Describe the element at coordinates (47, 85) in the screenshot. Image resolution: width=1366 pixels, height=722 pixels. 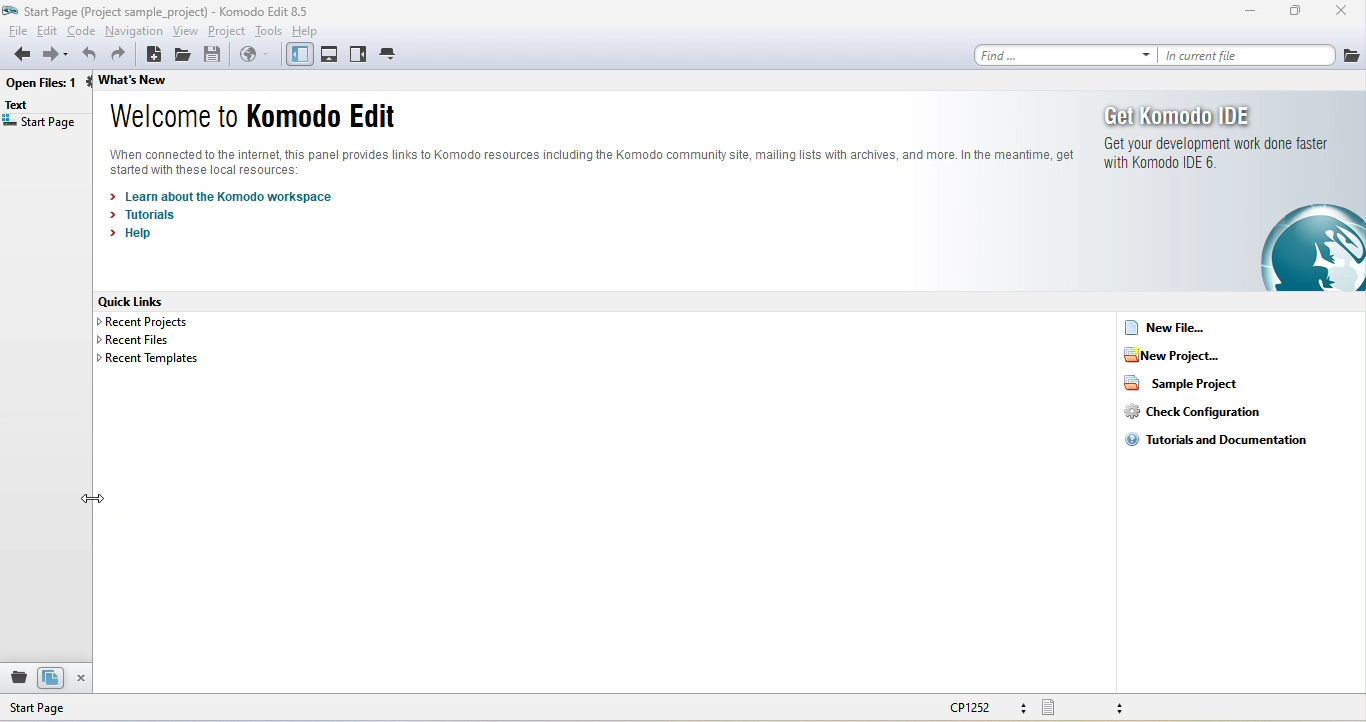
I see `open file 1` at that location.